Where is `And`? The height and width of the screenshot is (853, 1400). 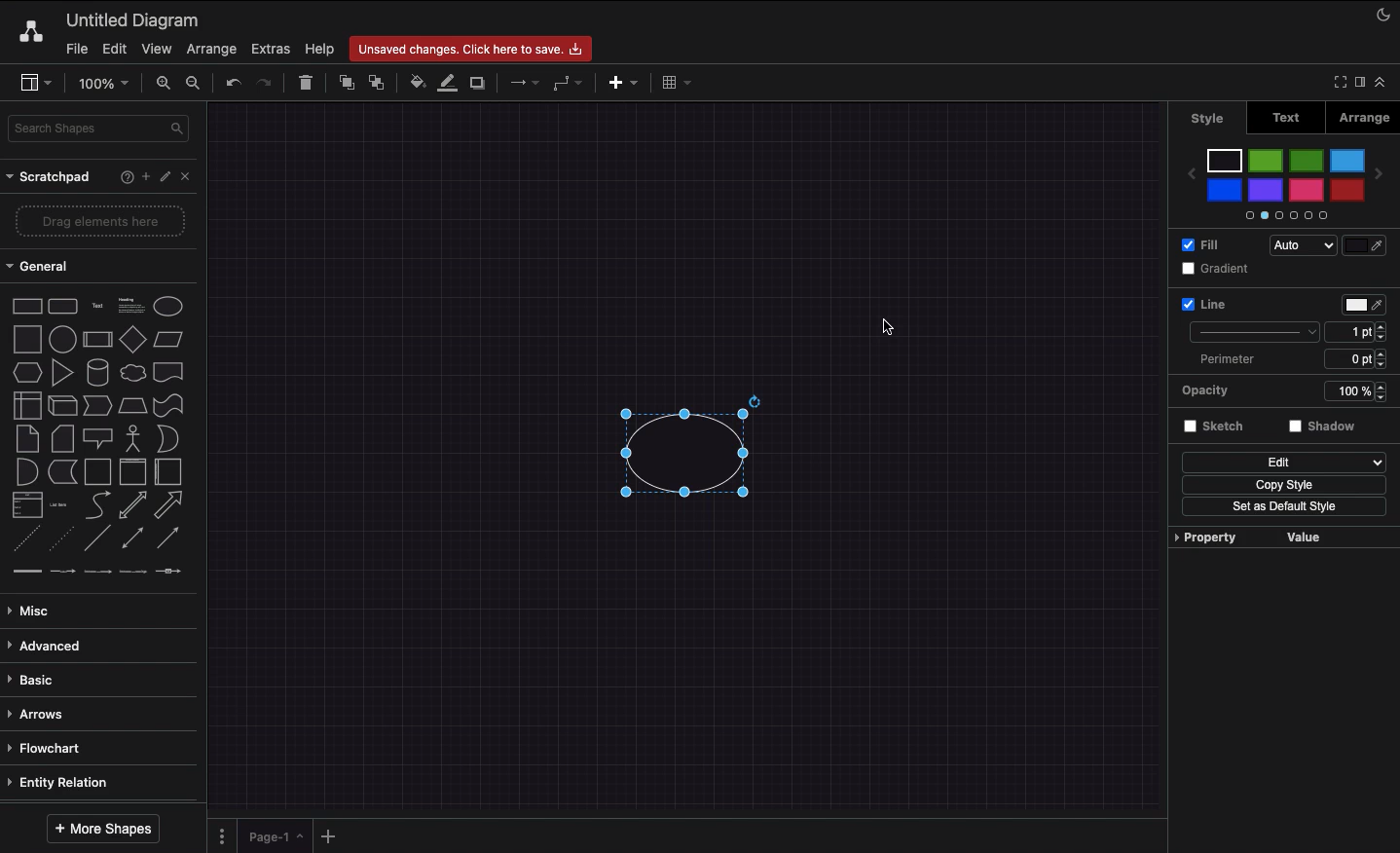
And is located at coordinates (28, 473).